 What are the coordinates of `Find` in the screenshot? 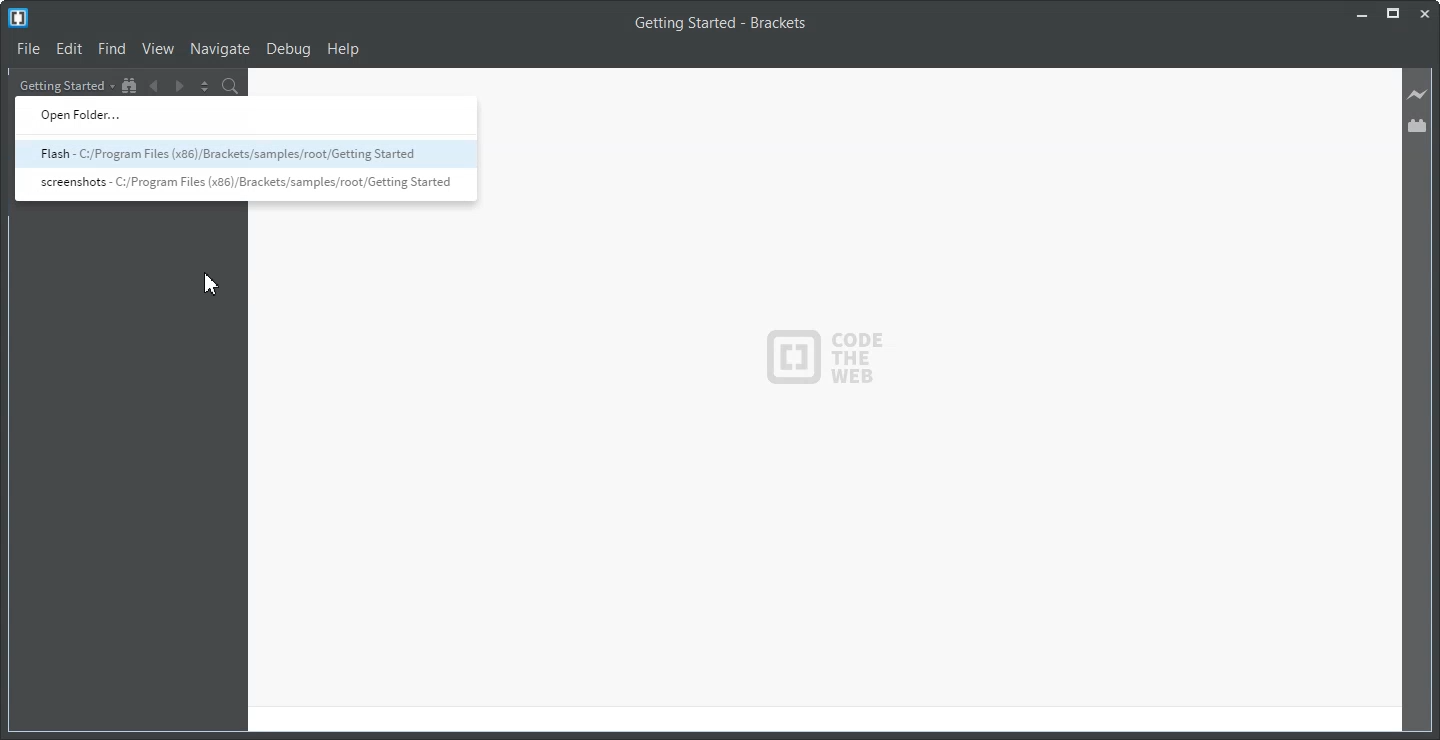 It's located at (112, 49).